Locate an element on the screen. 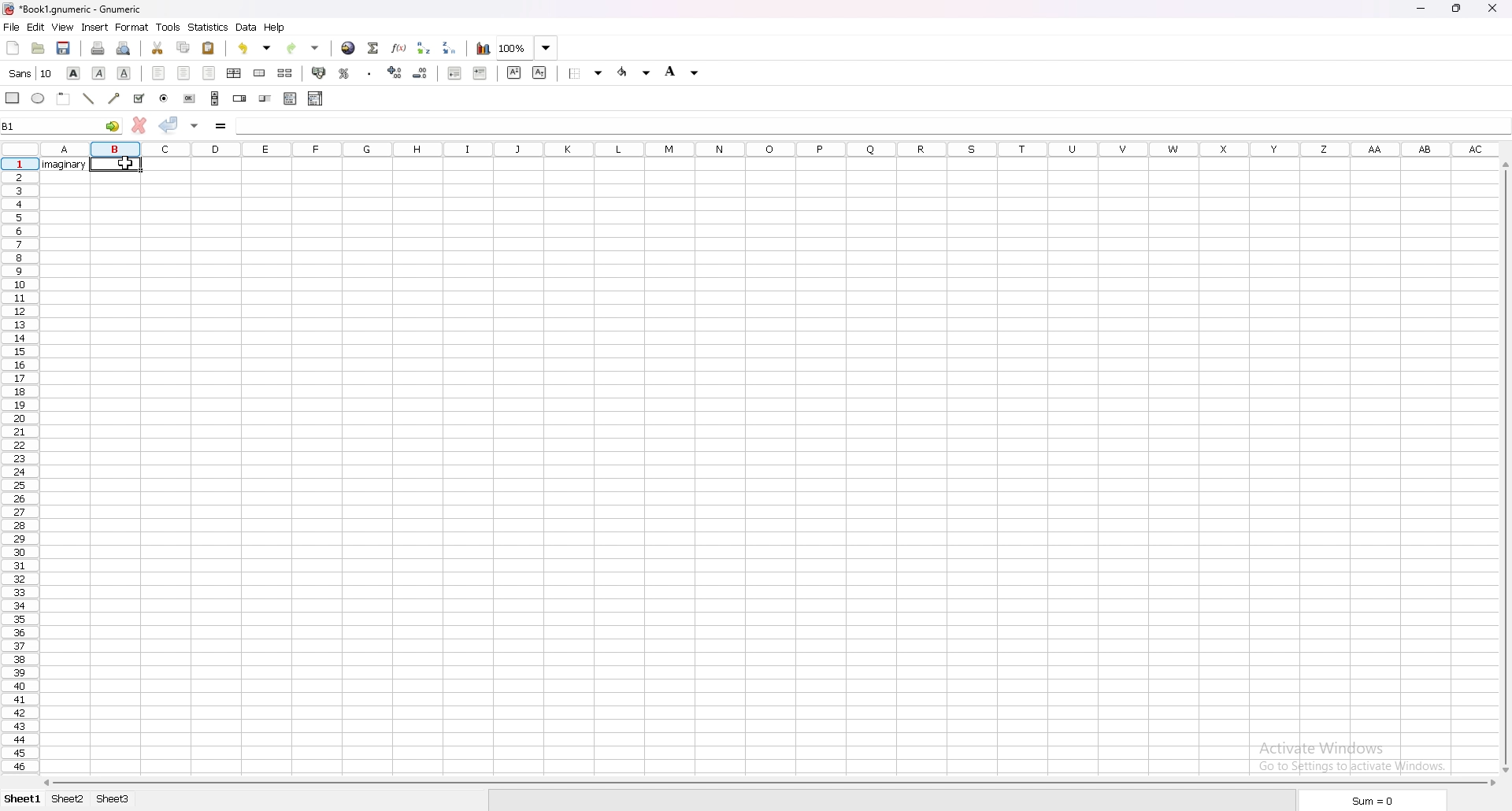 The width and height of the screenshot is (1512, 811). button is located at coordinates (188, 98).